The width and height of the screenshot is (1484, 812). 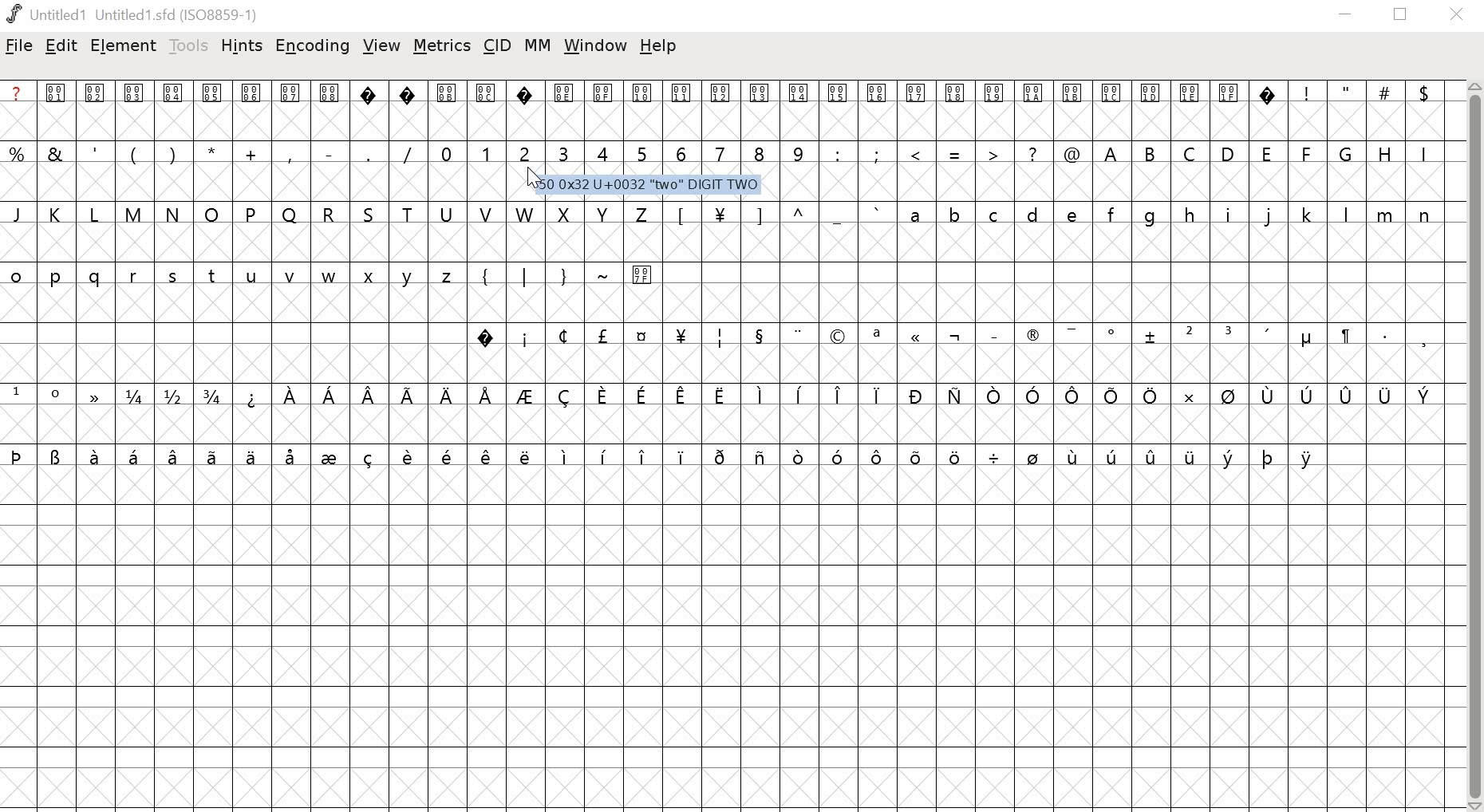 What do you see at coordinates (138, 15) in the screenshot?
I see `Untitled1 Untitled 1.sfd (IS08859-1)` at bounding box center [138, 15].